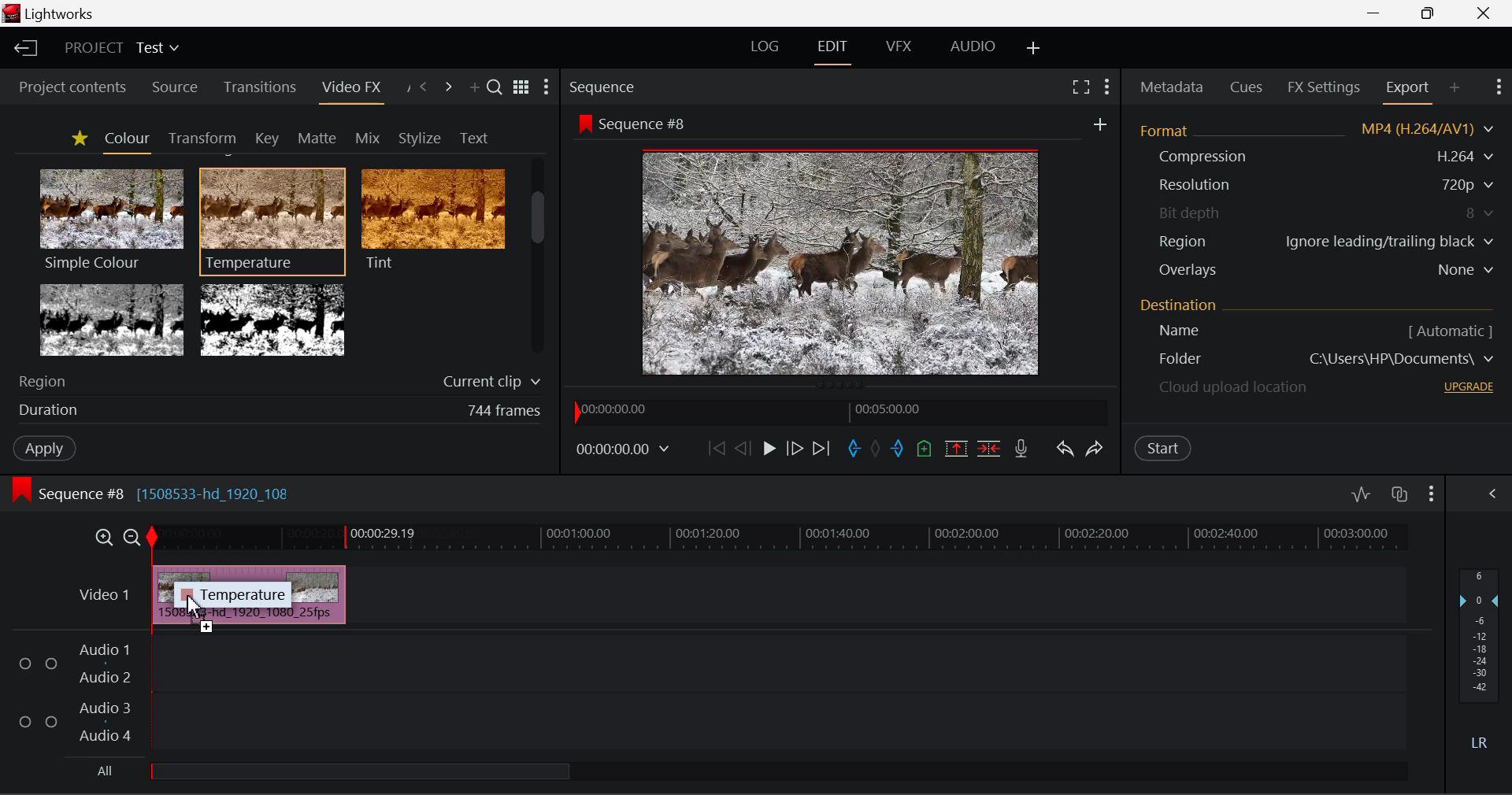 This screenshot has width=1512, height=795. What do you see at coordinates (605, 89) in the screenshot?
I see `Sequence Preview Section` at bounding box center [605, 89].